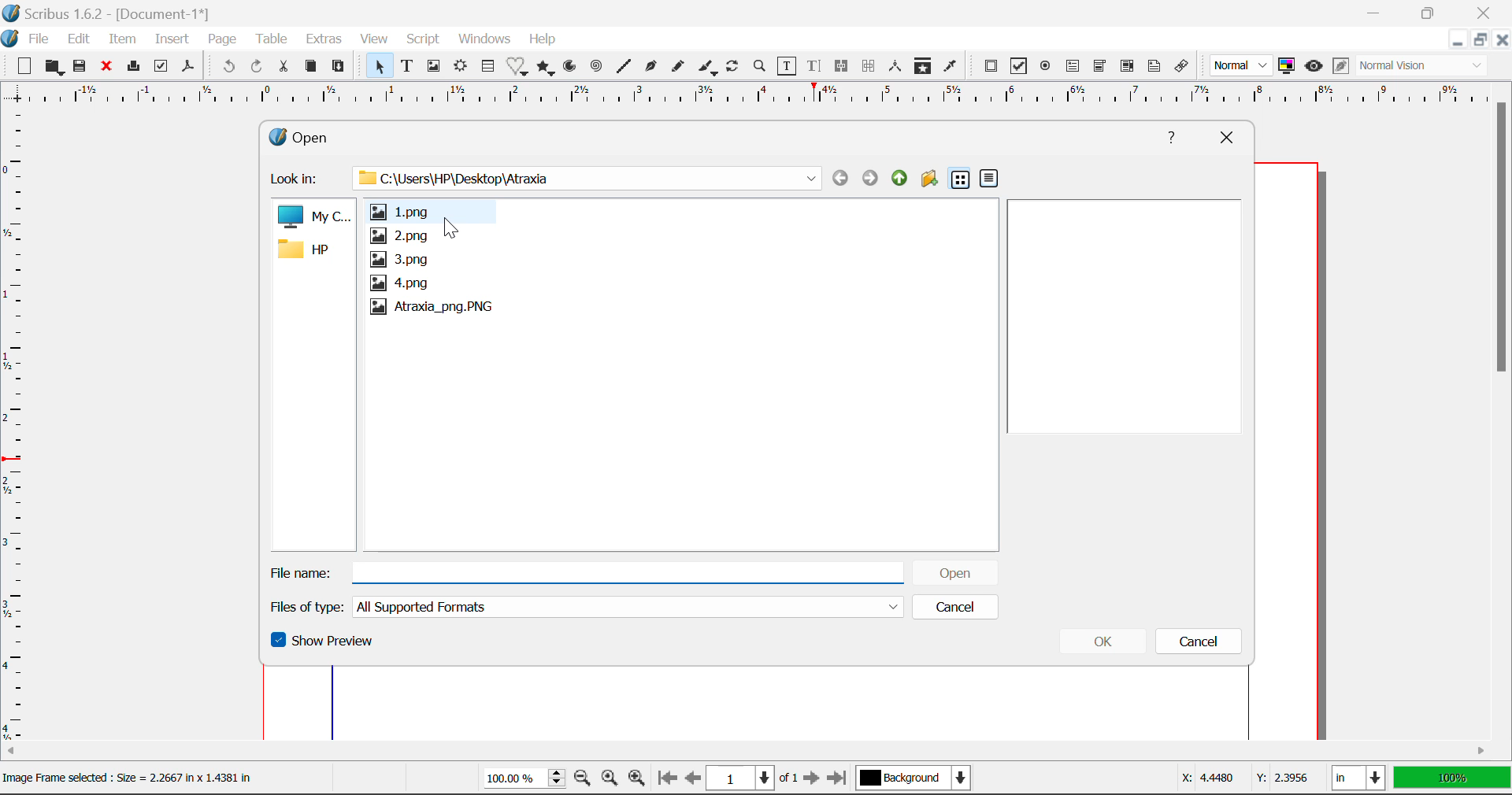 Image resolution: width=1512 pixels, height=795 pixels. What do you see at coordinates (844, 65) in the screenshot?
I see `Link Text Frames` at bounding box center [844, 65].